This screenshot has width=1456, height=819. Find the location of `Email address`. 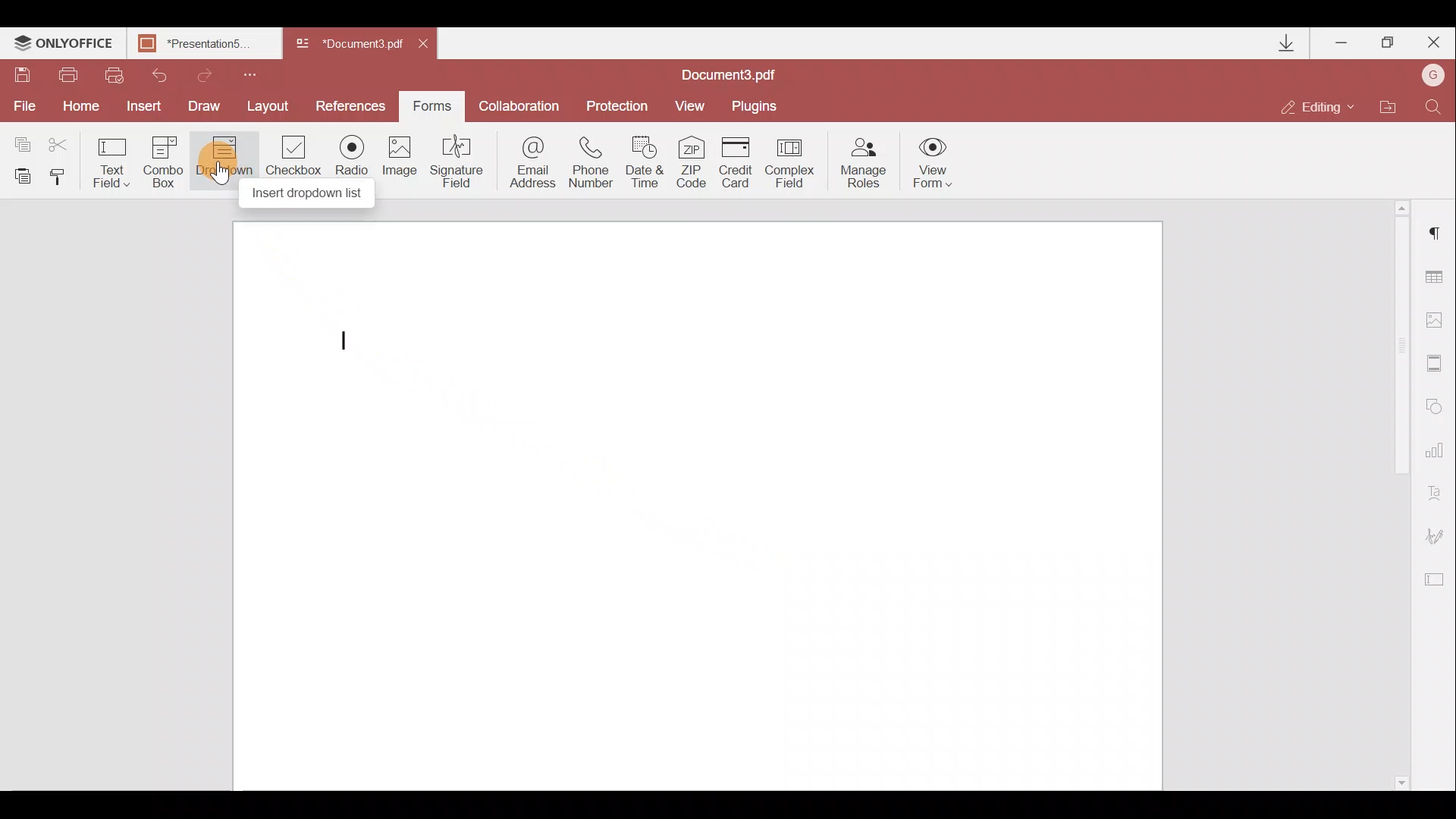

Email address is located at coordinates (527, 166).